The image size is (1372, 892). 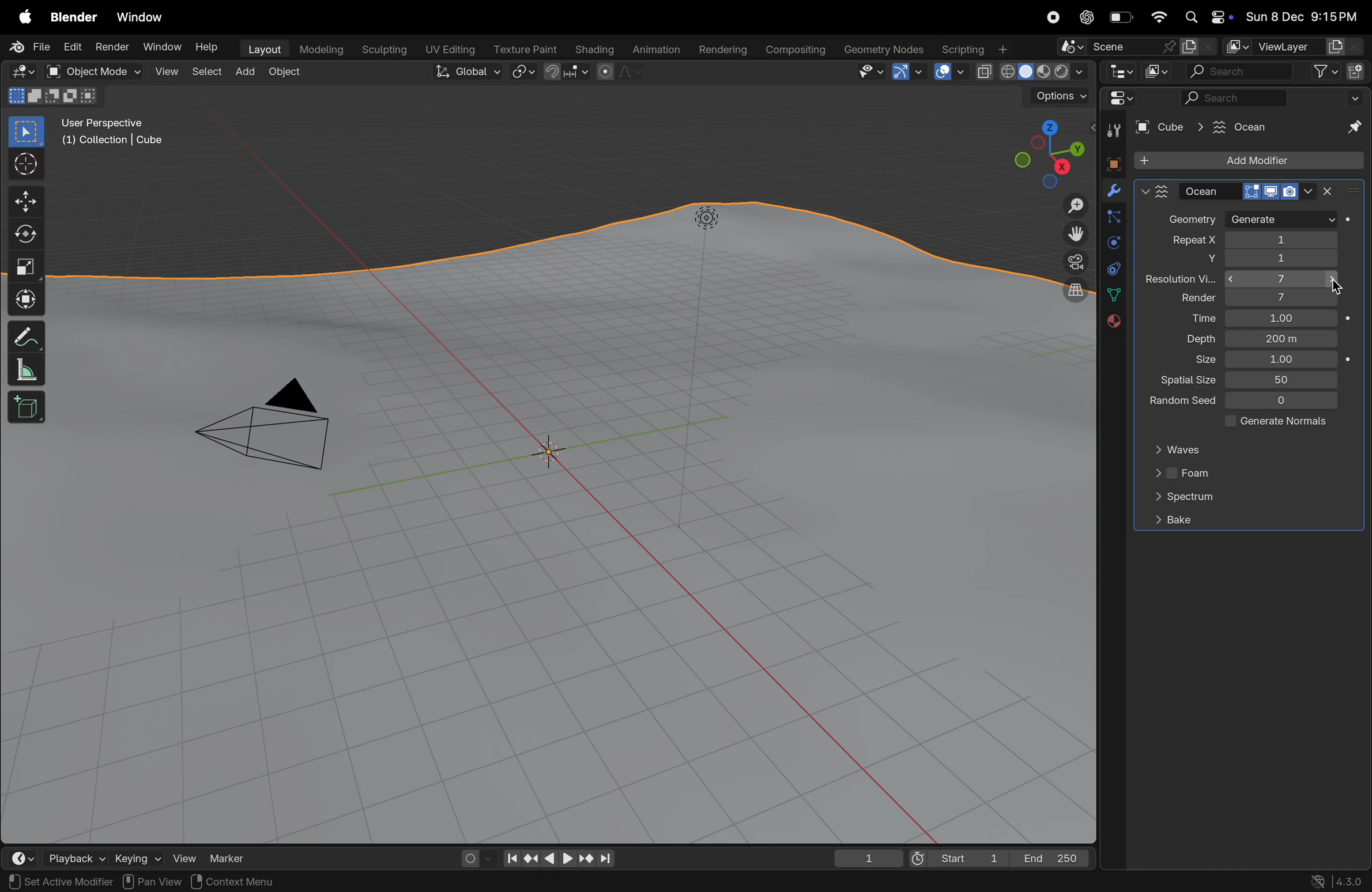 What do you see at coordinates (1281, 220) in the screenshot?
I see `generate` at bounding box center [1281, 220].